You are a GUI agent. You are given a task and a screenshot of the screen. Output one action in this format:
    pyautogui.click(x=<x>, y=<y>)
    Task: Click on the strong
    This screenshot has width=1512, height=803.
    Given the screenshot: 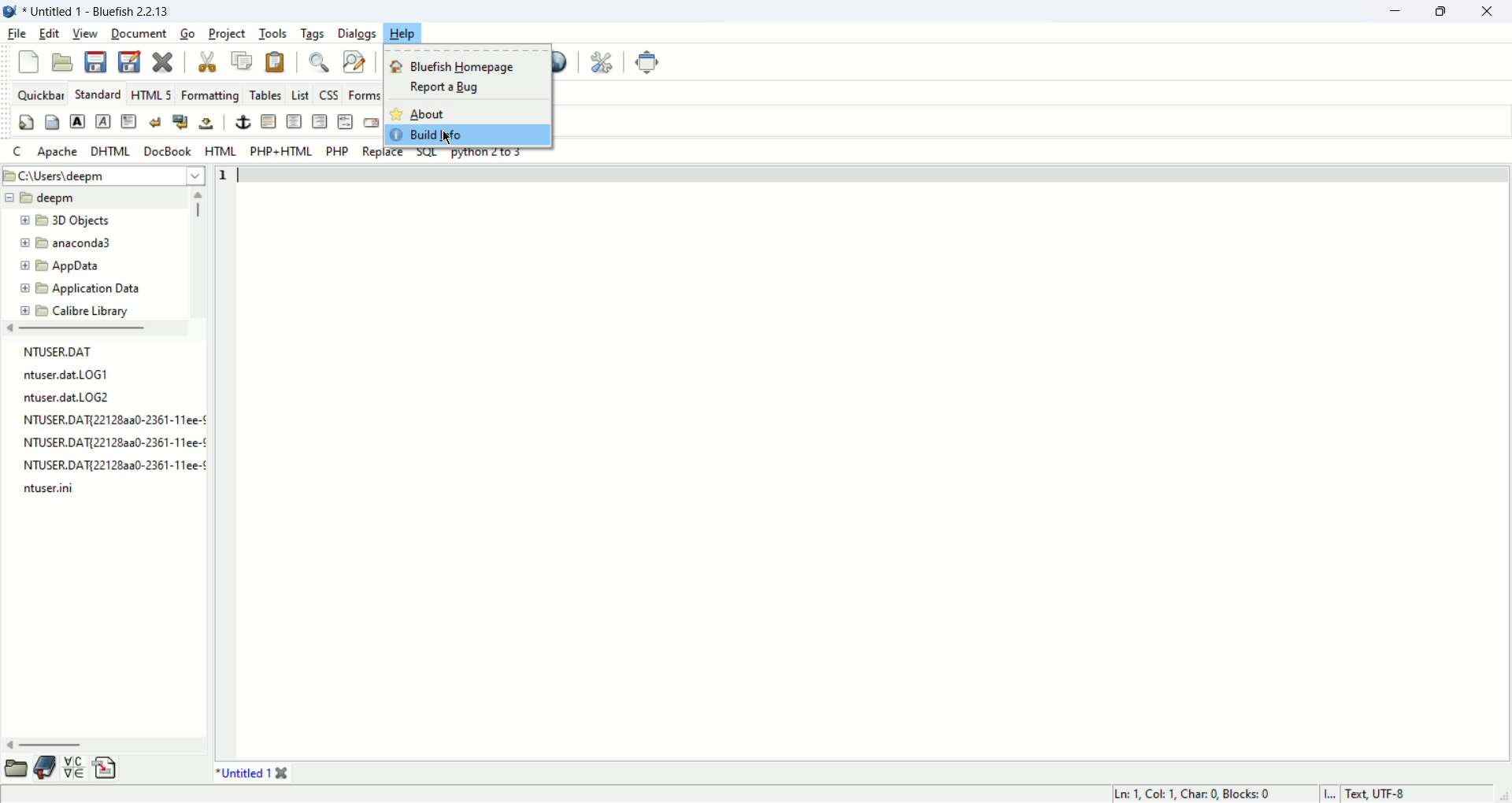 What is the action you would take?
    pyautogui.click(x=77, y=121)
    